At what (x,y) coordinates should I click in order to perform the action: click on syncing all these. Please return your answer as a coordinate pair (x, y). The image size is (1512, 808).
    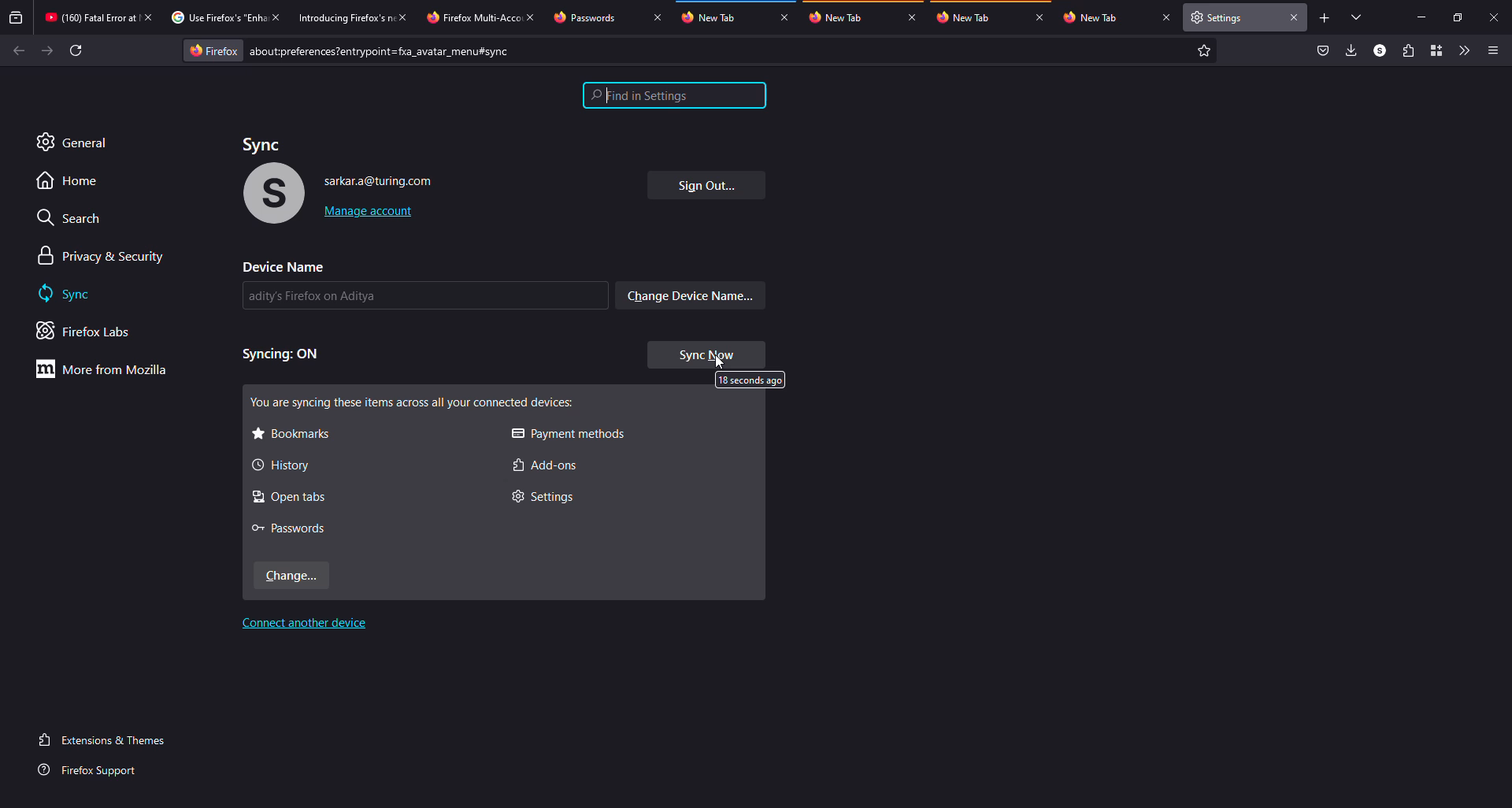
    Looking at the image, I should click on (417, 403).